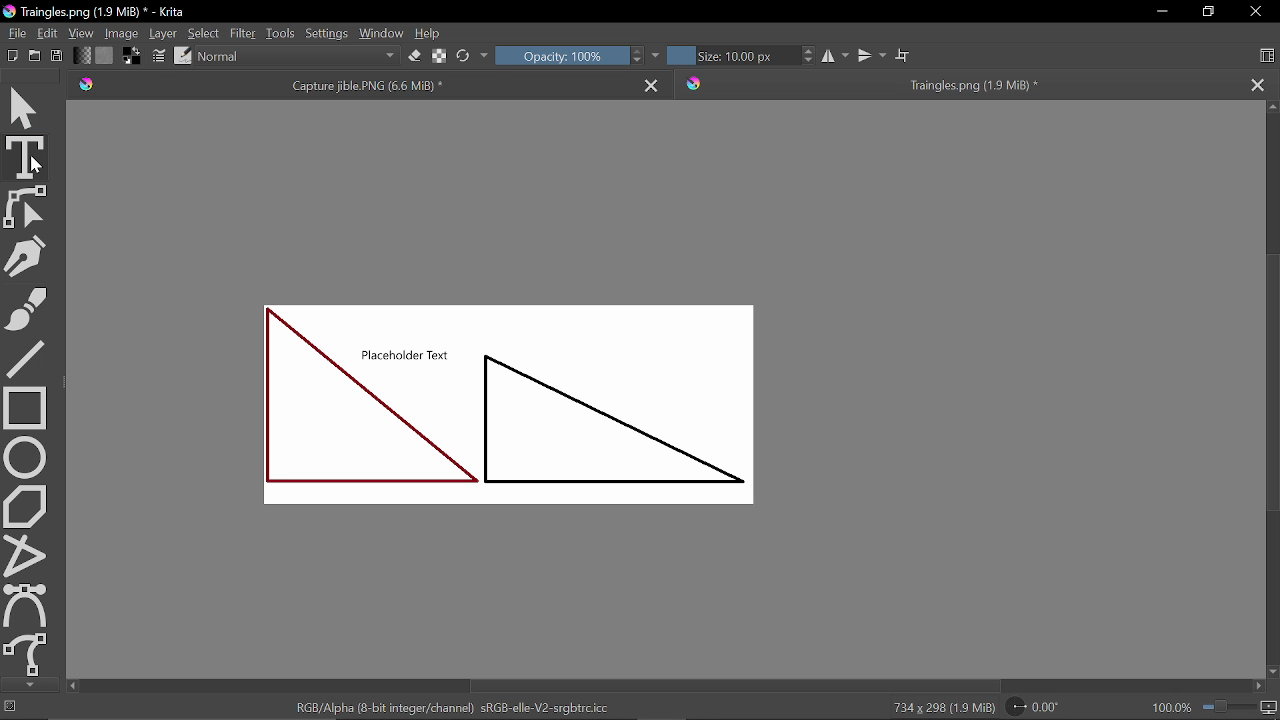 Image resolution: width=1280 pixels, height=720 pixels. Describe the element at coordinates (81, 56) in the screenshot. I see `Fill gradient` at that location.